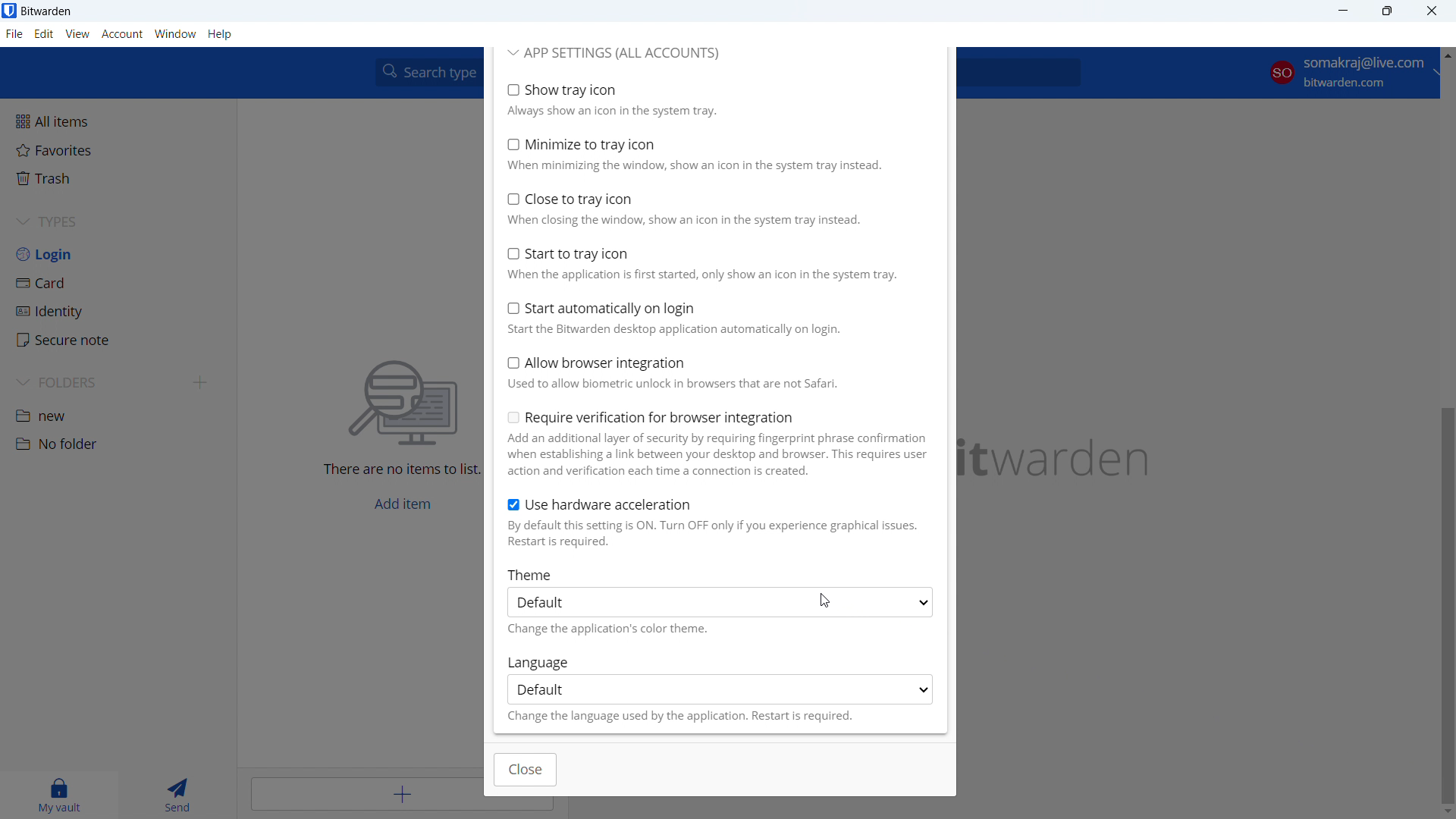  I want to click on minimize, so click(1342, 11).